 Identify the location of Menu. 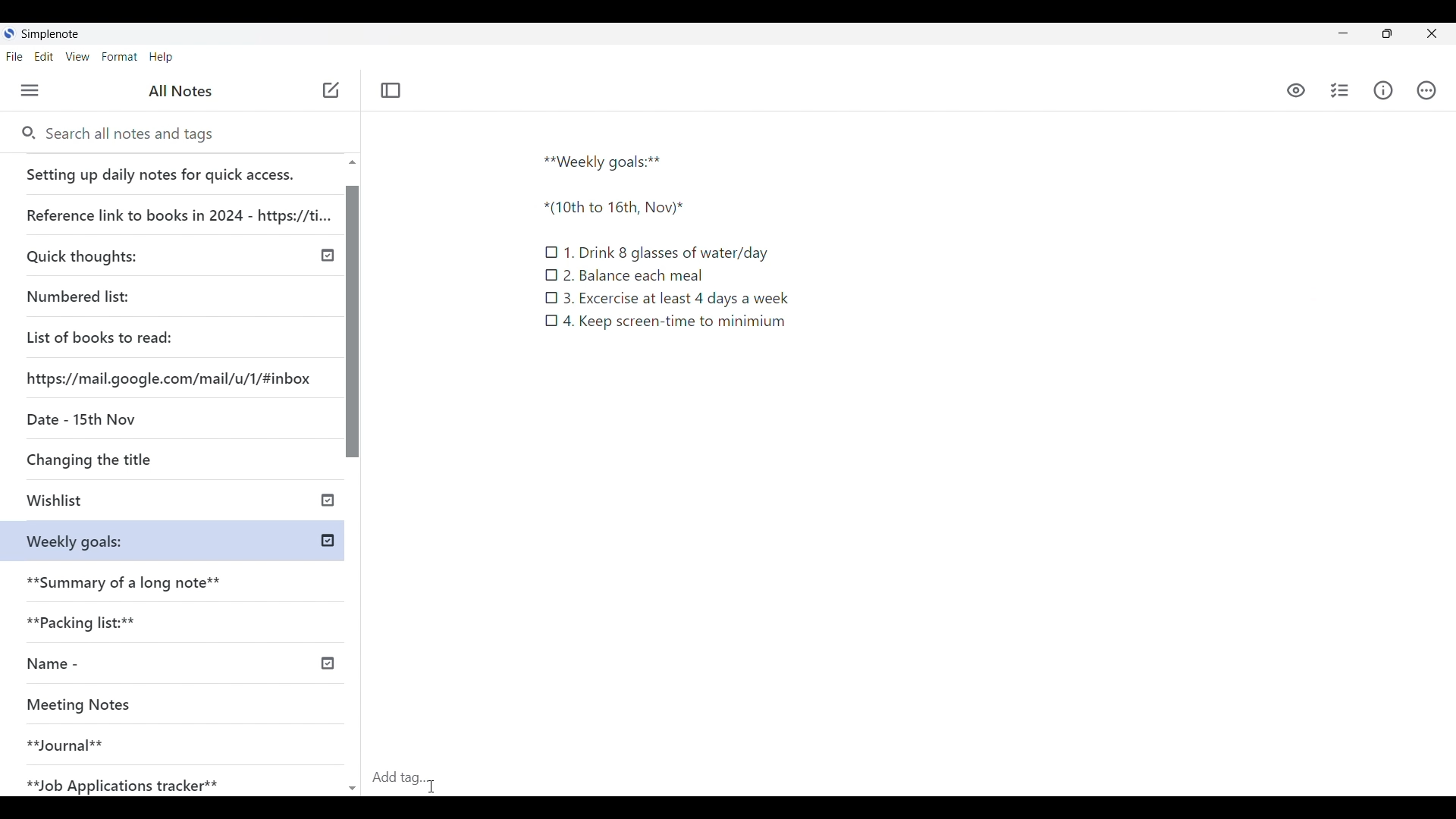
(30, 90).